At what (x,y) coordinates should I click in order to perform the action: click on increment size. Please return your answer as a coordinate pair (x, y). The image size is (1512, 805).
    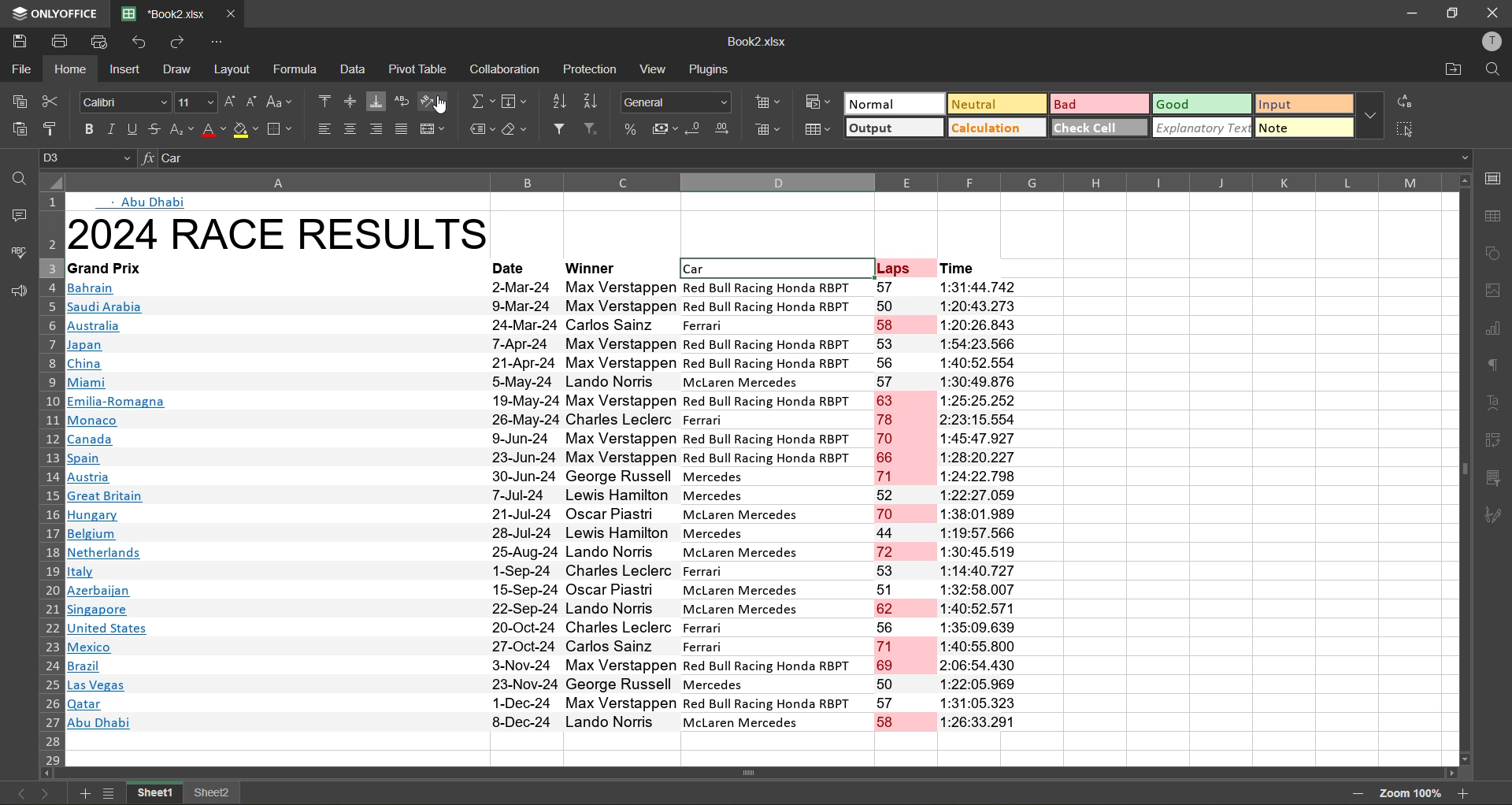
    Looking at the image, I should click on (231, 102).